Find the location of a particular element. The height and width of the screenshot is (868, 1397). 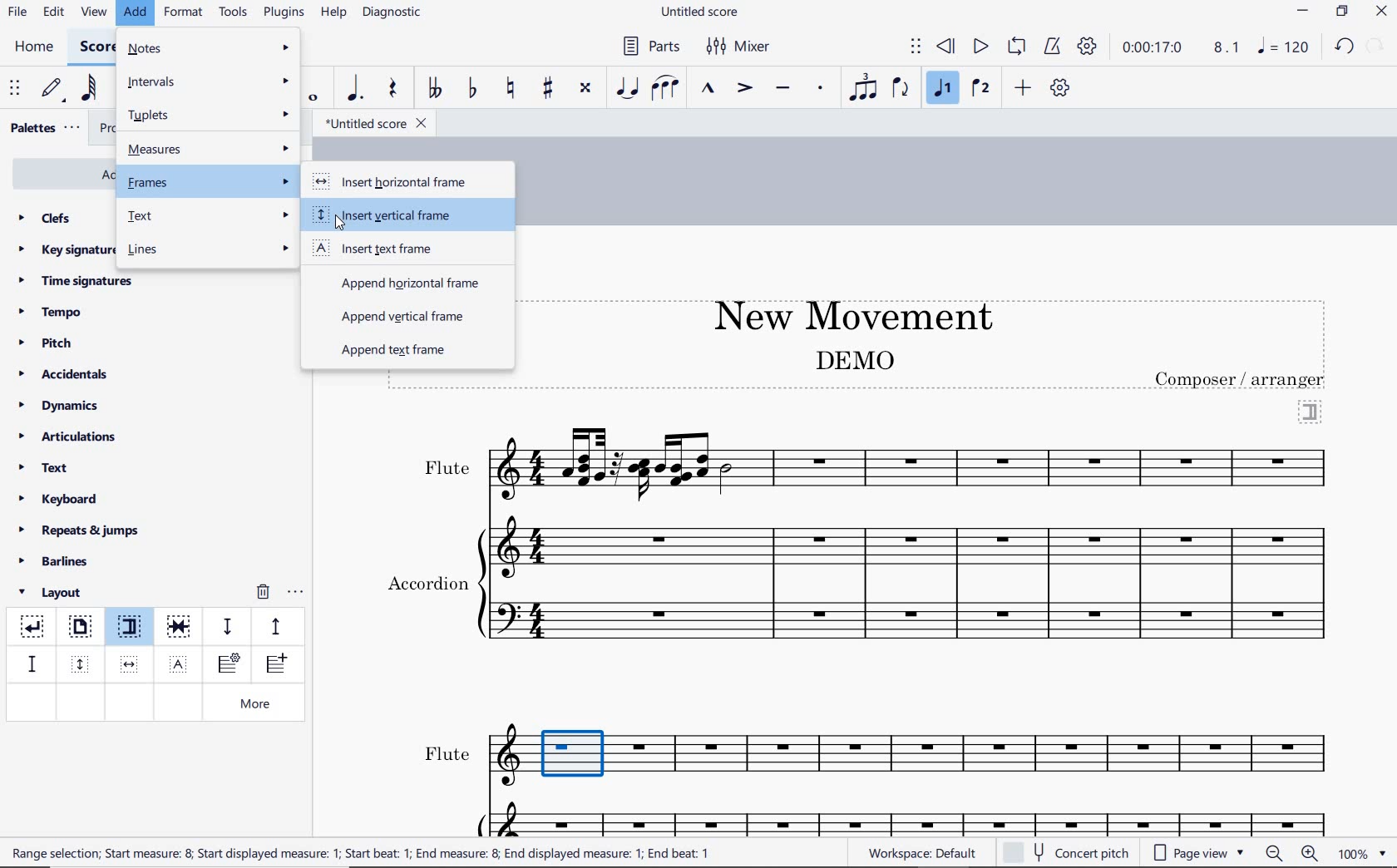

toggle sharp is located at coordinates (550, 89).